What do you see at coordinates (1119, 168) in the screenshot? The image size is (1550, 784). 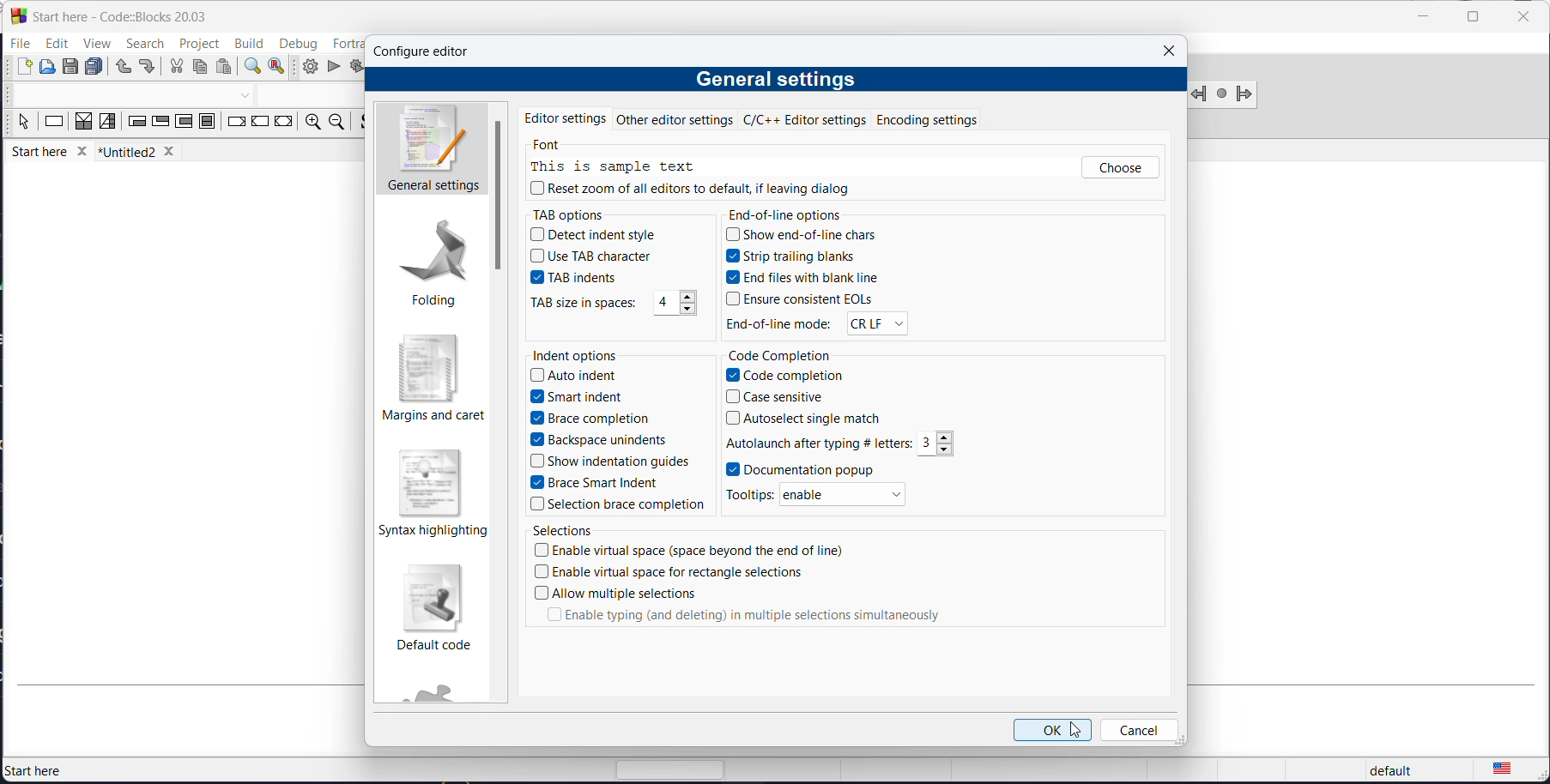 I see `choose` at bounding box center [1119, 168].